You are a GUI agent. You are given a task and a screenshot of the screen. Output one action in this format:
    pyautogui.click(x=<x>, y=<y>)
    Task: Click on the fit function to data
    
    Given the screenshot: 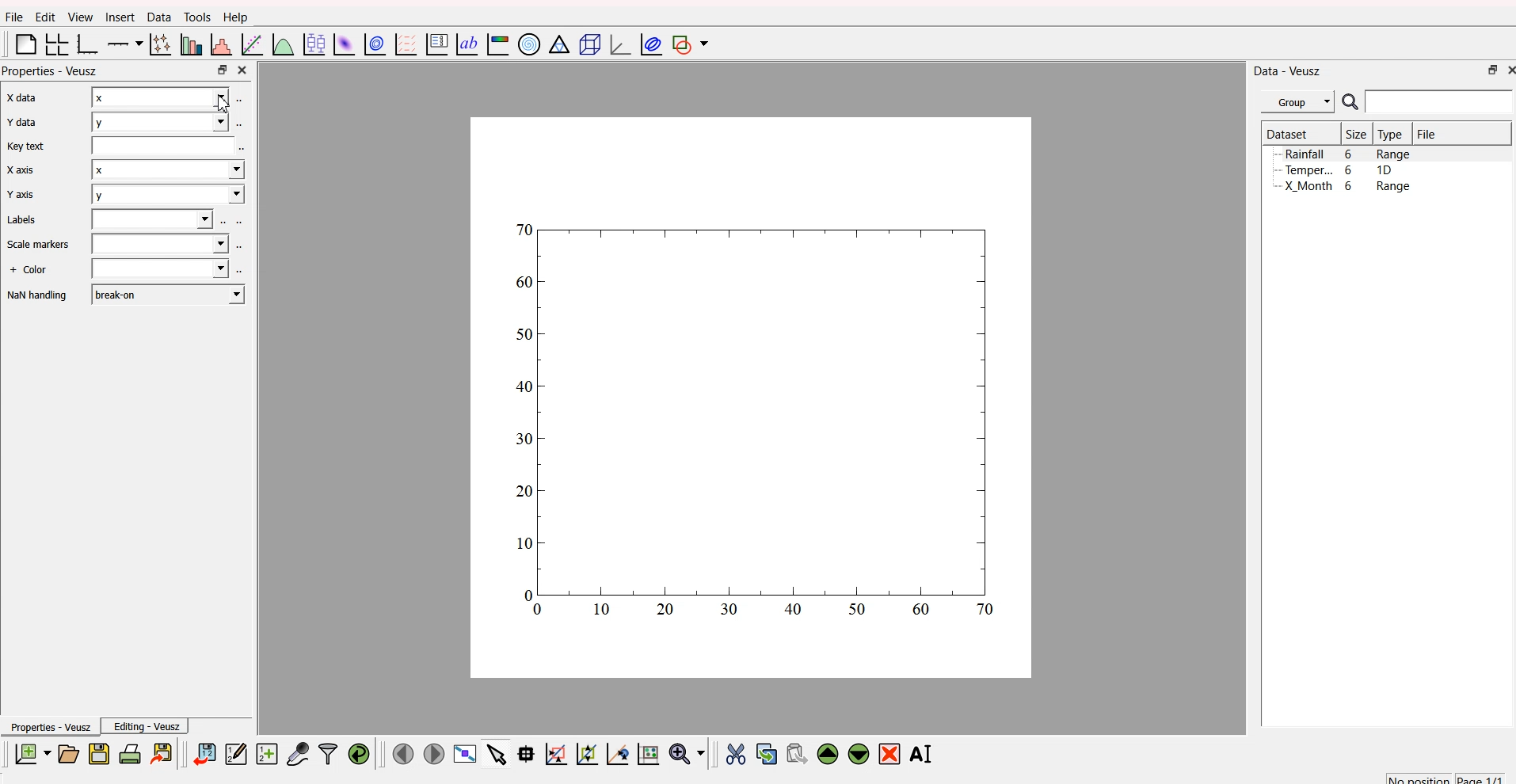 What is the action you would take?
    pyautogui.click(x=252, y=45)
    